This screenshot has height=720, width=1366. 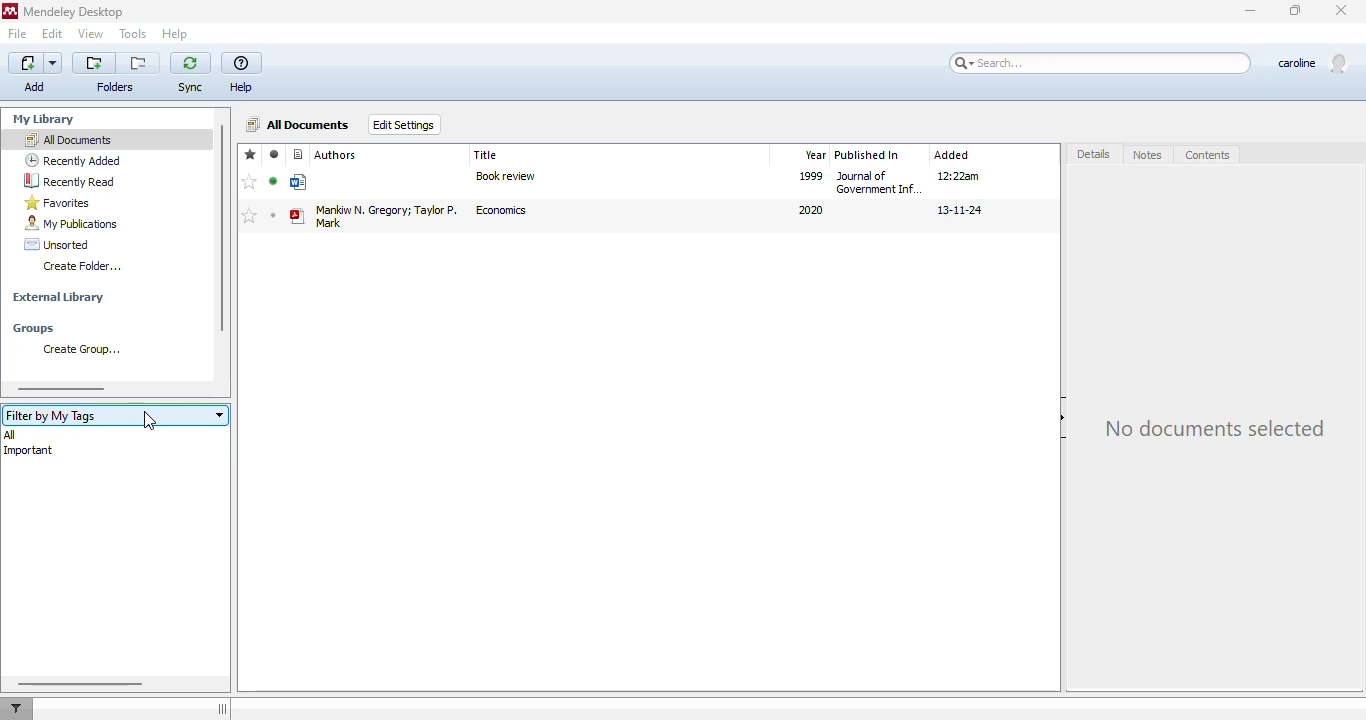 I want to click on file, so click(x=18, y=34).